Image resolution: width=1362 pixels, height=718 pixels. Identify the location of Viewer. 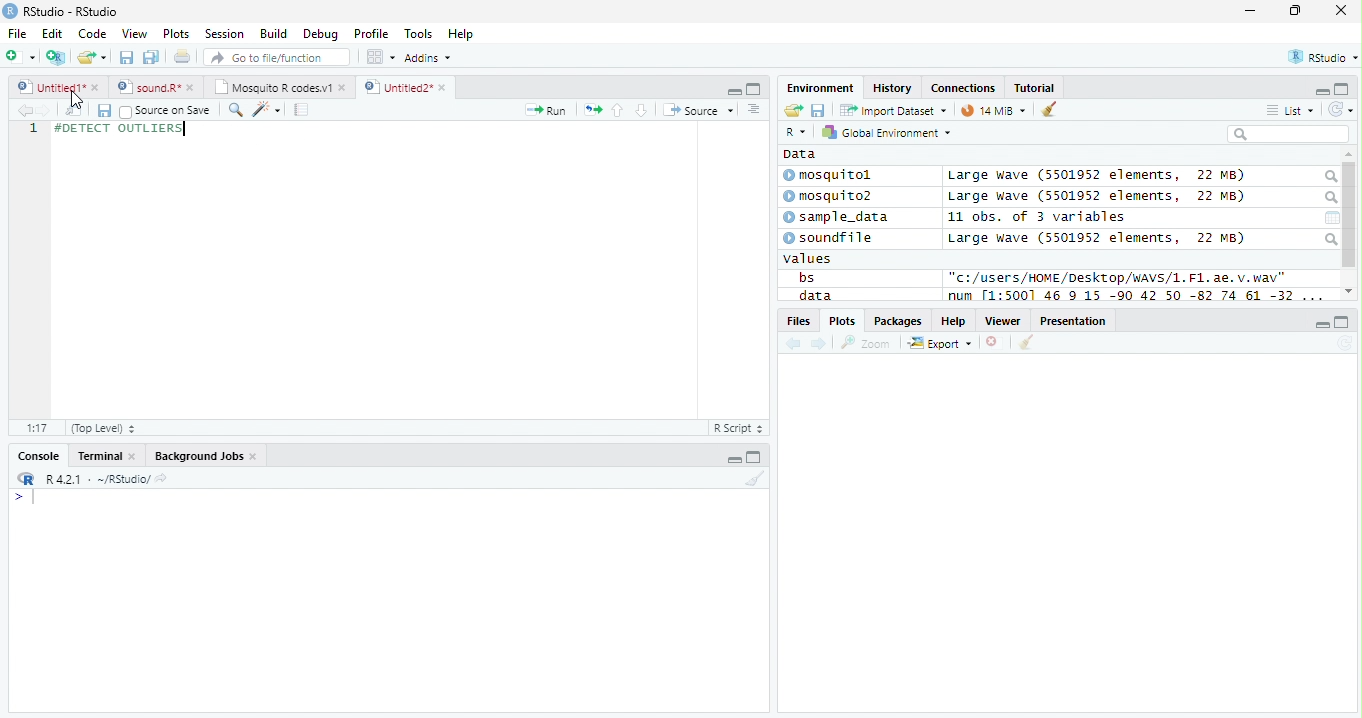
(1003, 321).